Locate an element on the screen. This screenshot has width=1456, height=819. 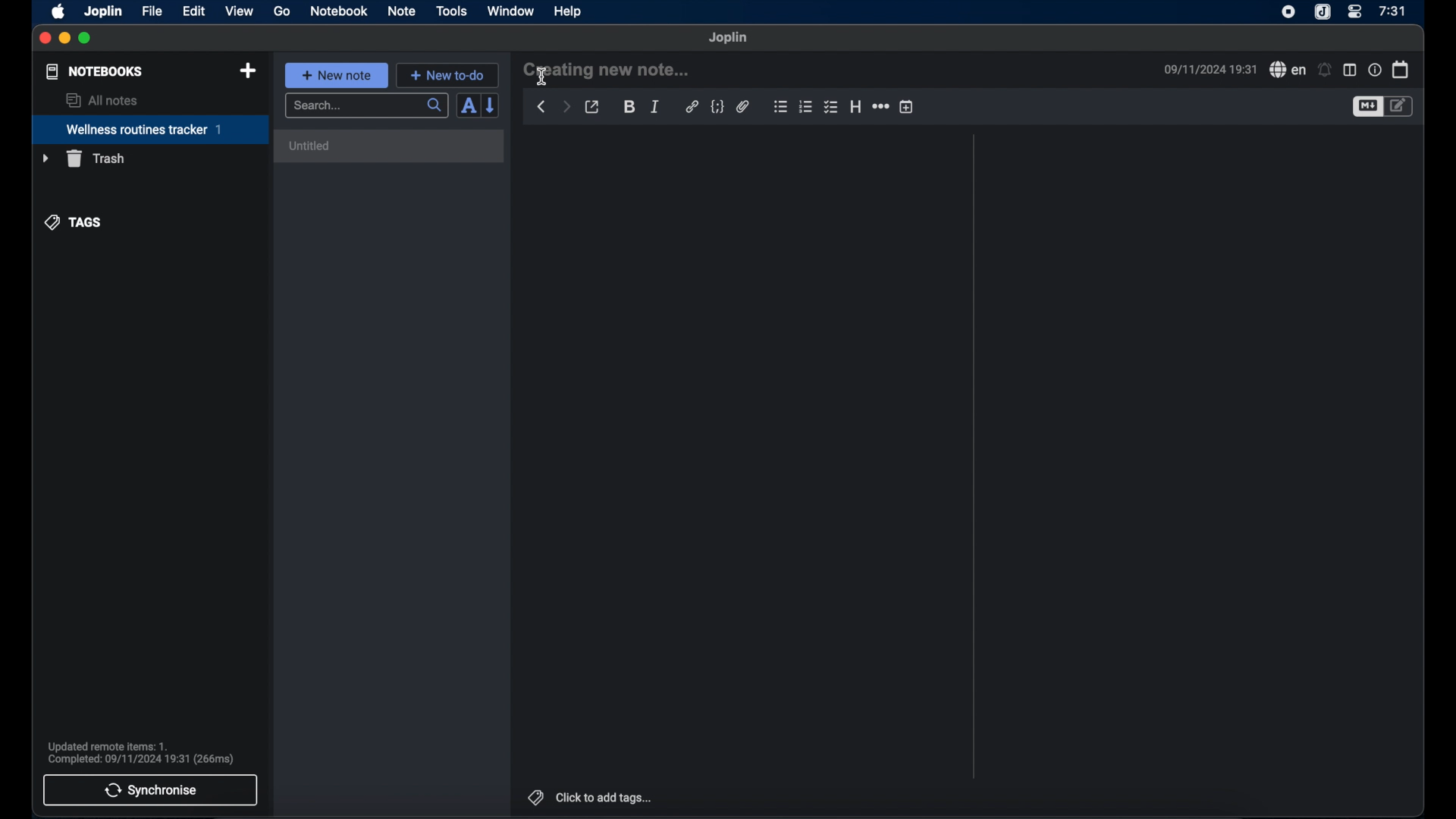
back is located at coordinates (541, 107).